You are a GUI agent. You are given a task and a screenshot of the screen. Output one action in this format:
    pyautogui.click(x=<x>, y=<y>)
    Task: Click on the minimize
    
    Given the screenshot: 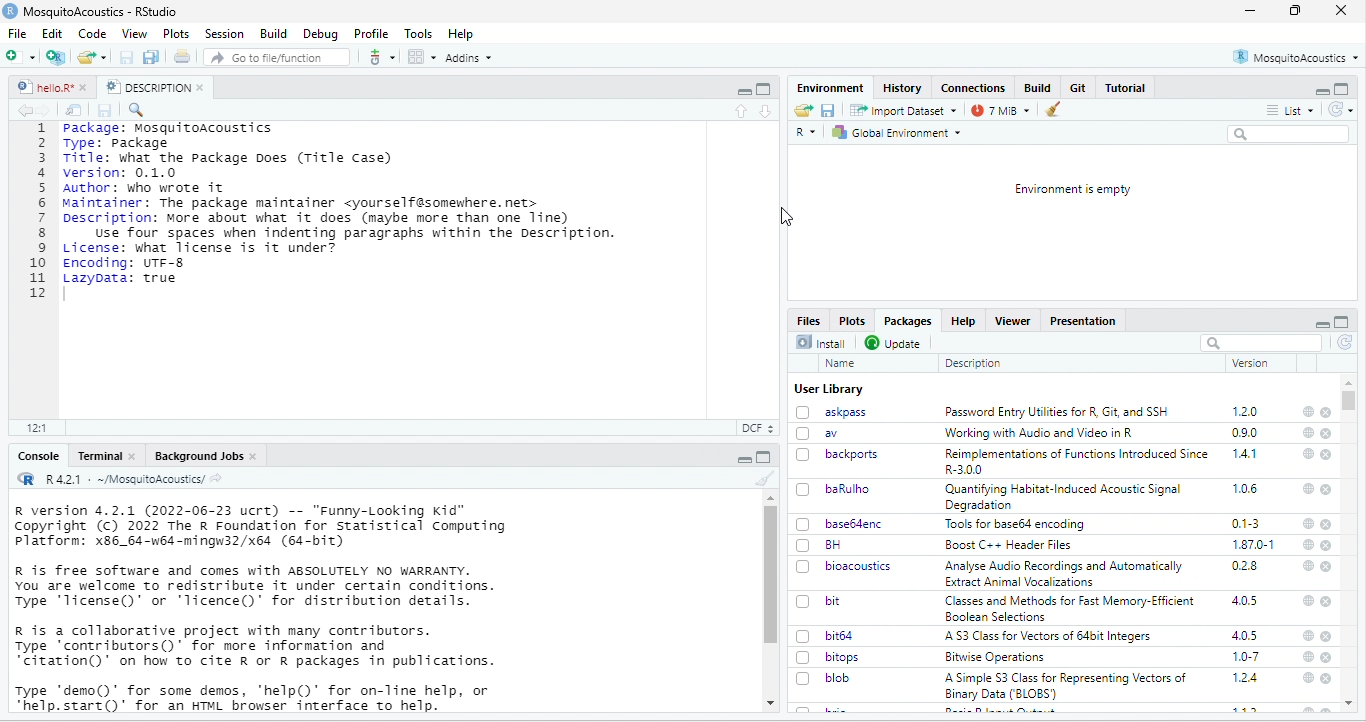 What is the action you would take?
    pyautogui.click(x=1250, y=10)
    